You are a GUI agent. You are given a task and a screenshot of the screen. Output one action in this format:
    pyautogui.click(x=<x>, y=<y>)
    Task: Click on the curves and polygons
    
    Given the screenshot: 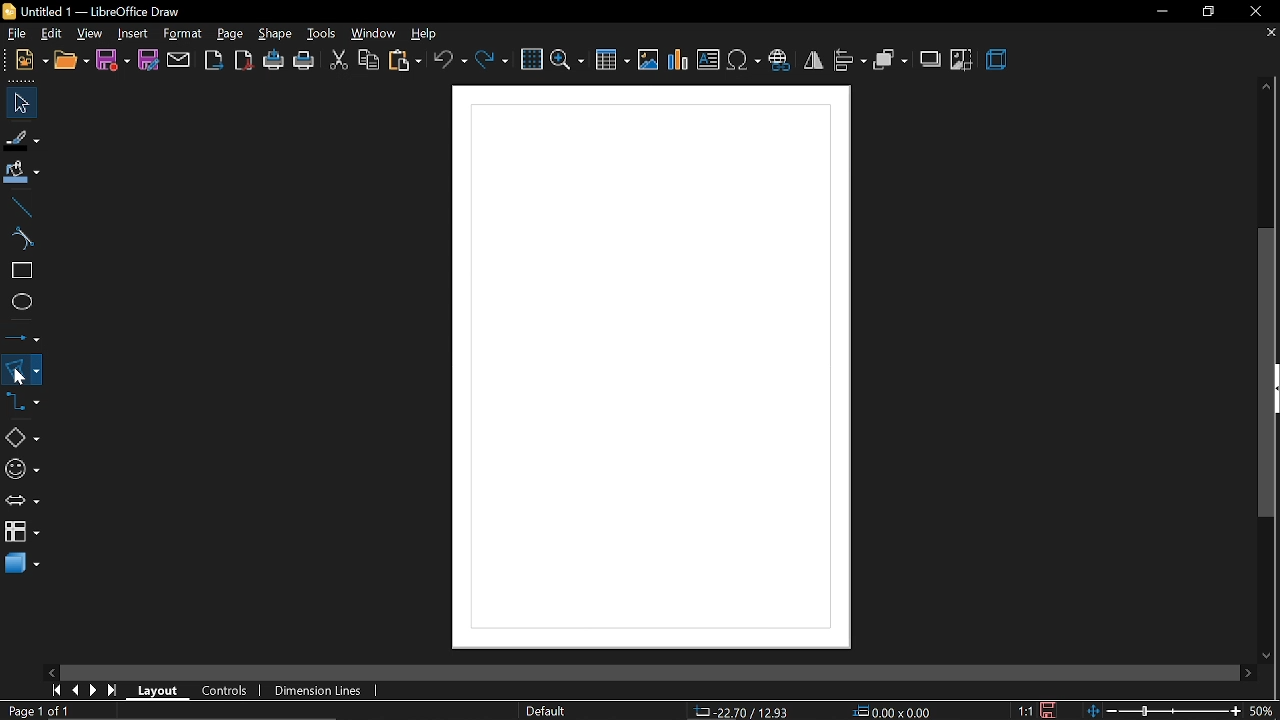 What is the action you would take?
    pyautogui.click(x=22, y=369)
    